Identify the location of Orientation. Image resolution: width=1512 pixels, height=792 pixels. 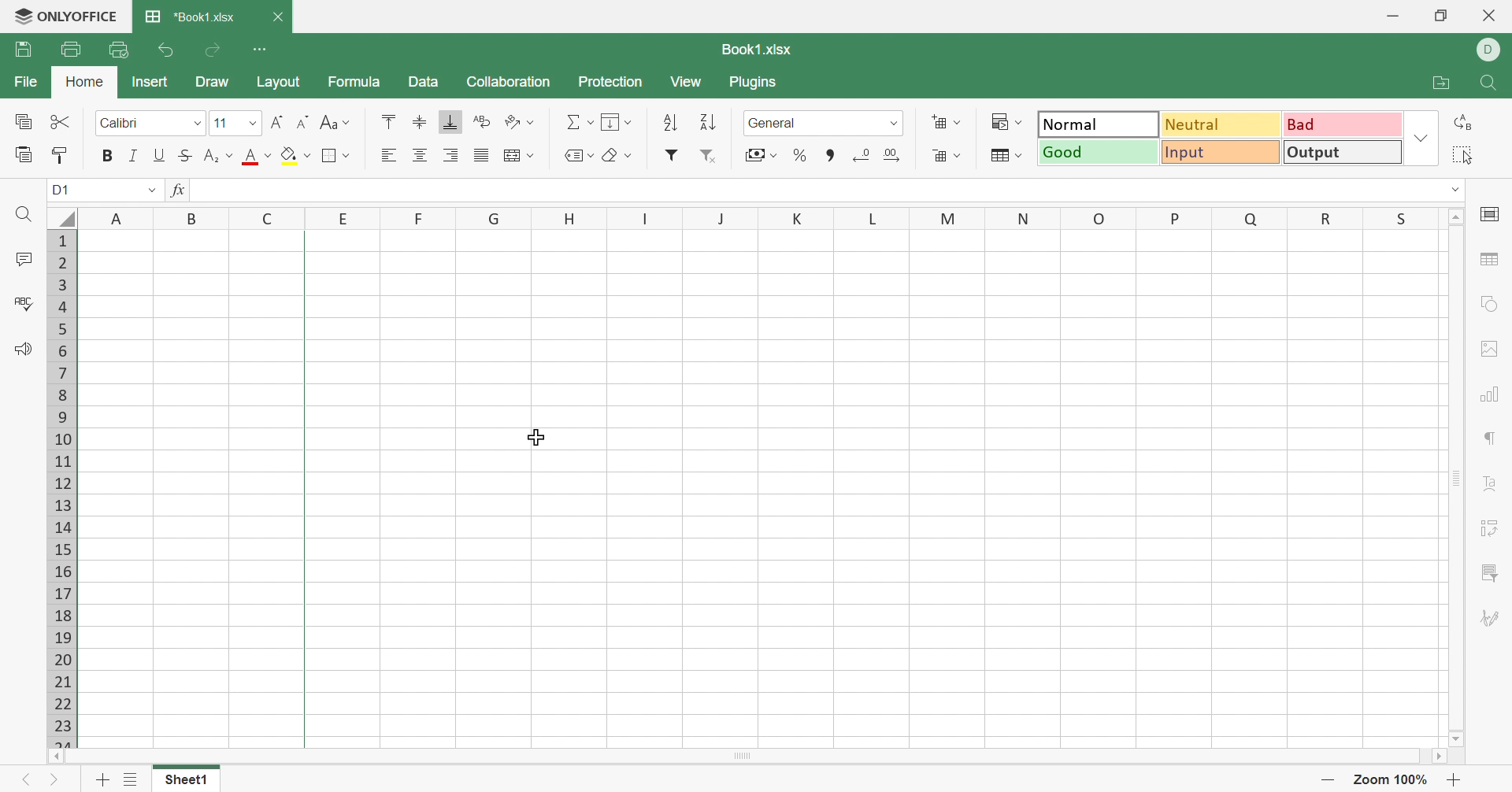
(510, 121).